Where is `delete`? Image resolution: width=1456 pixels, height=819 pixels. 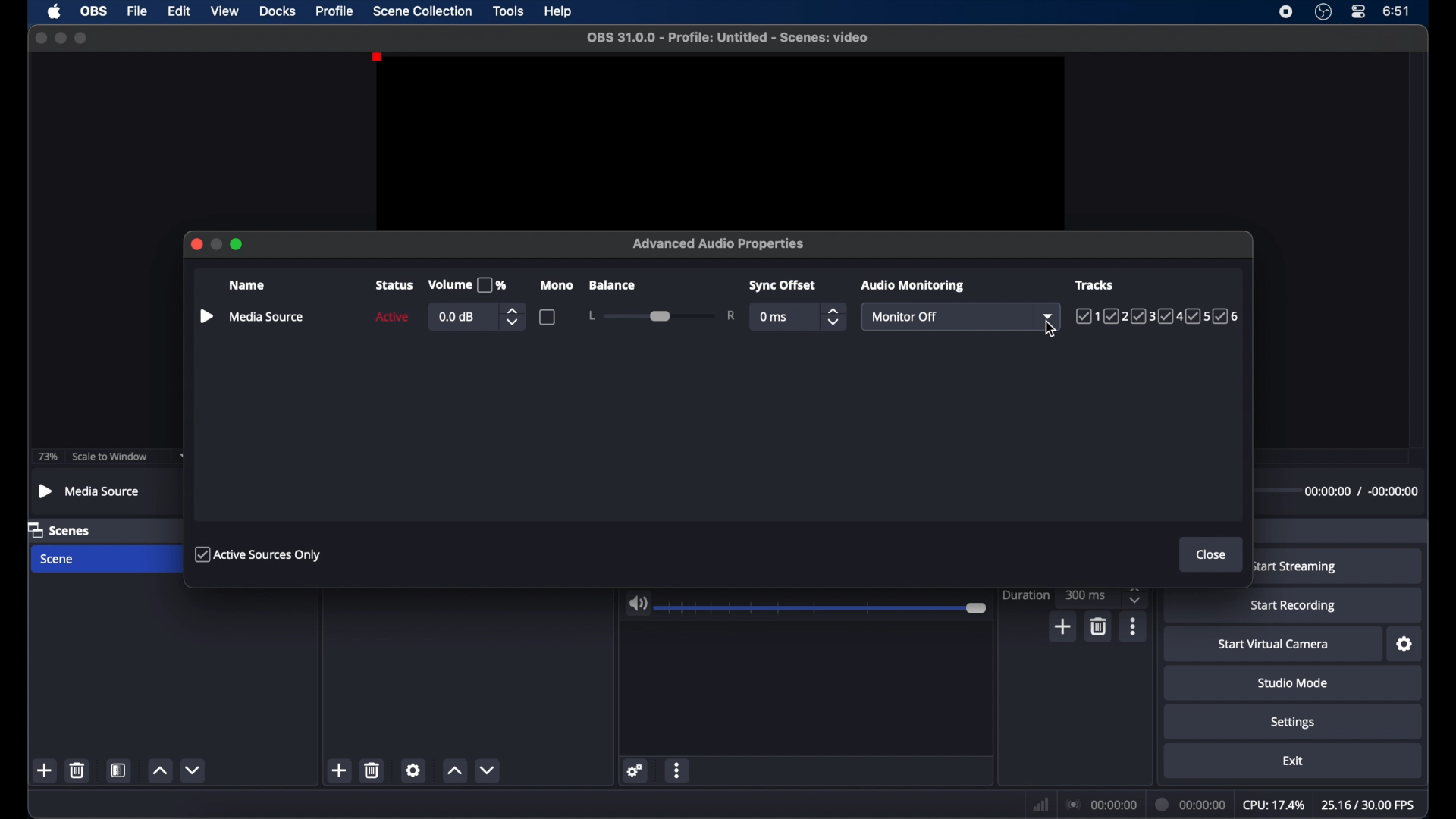 delete is located at coordinates (1100, 627).